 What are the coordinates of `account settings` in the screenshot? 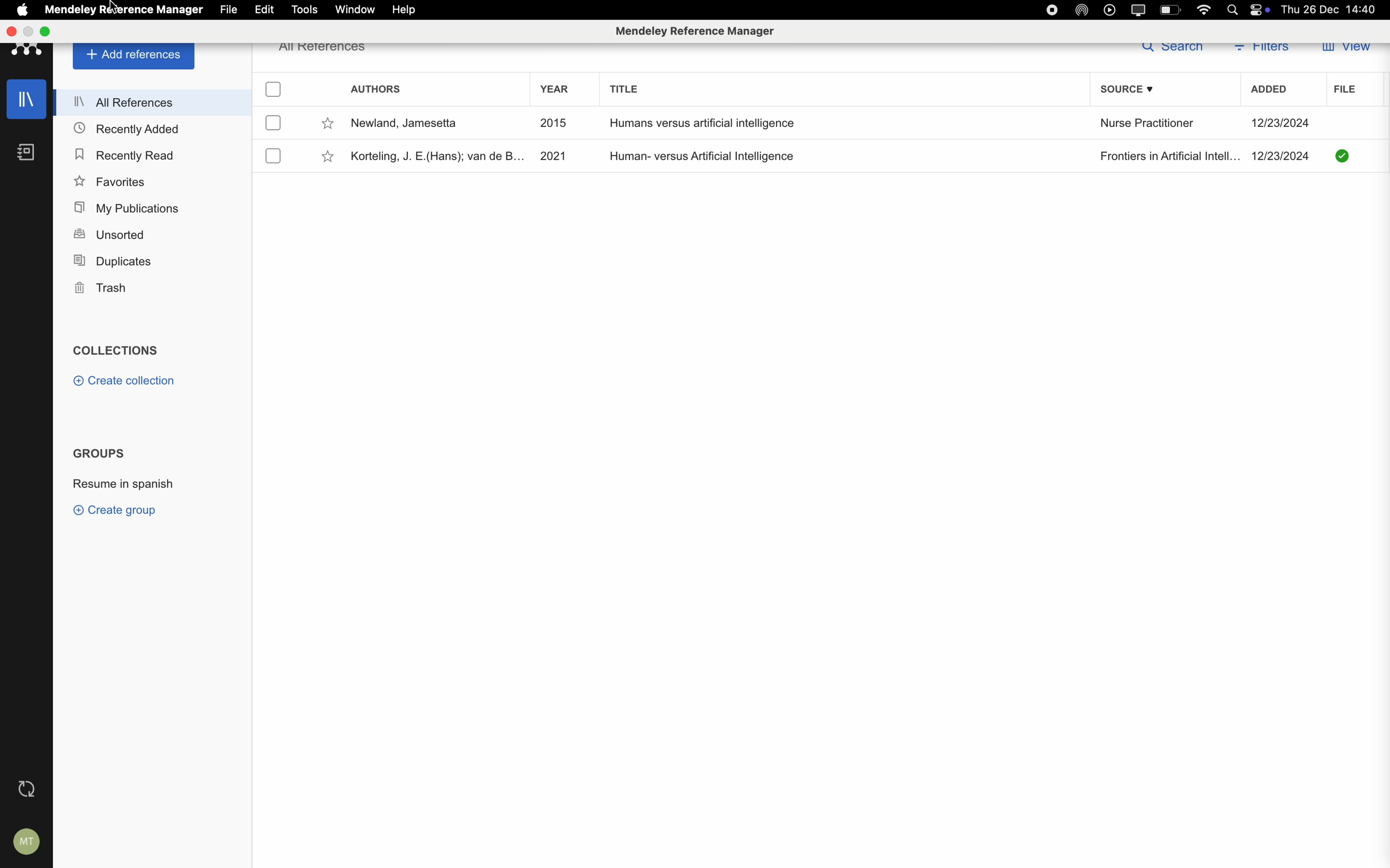 It's located at (28, 843).